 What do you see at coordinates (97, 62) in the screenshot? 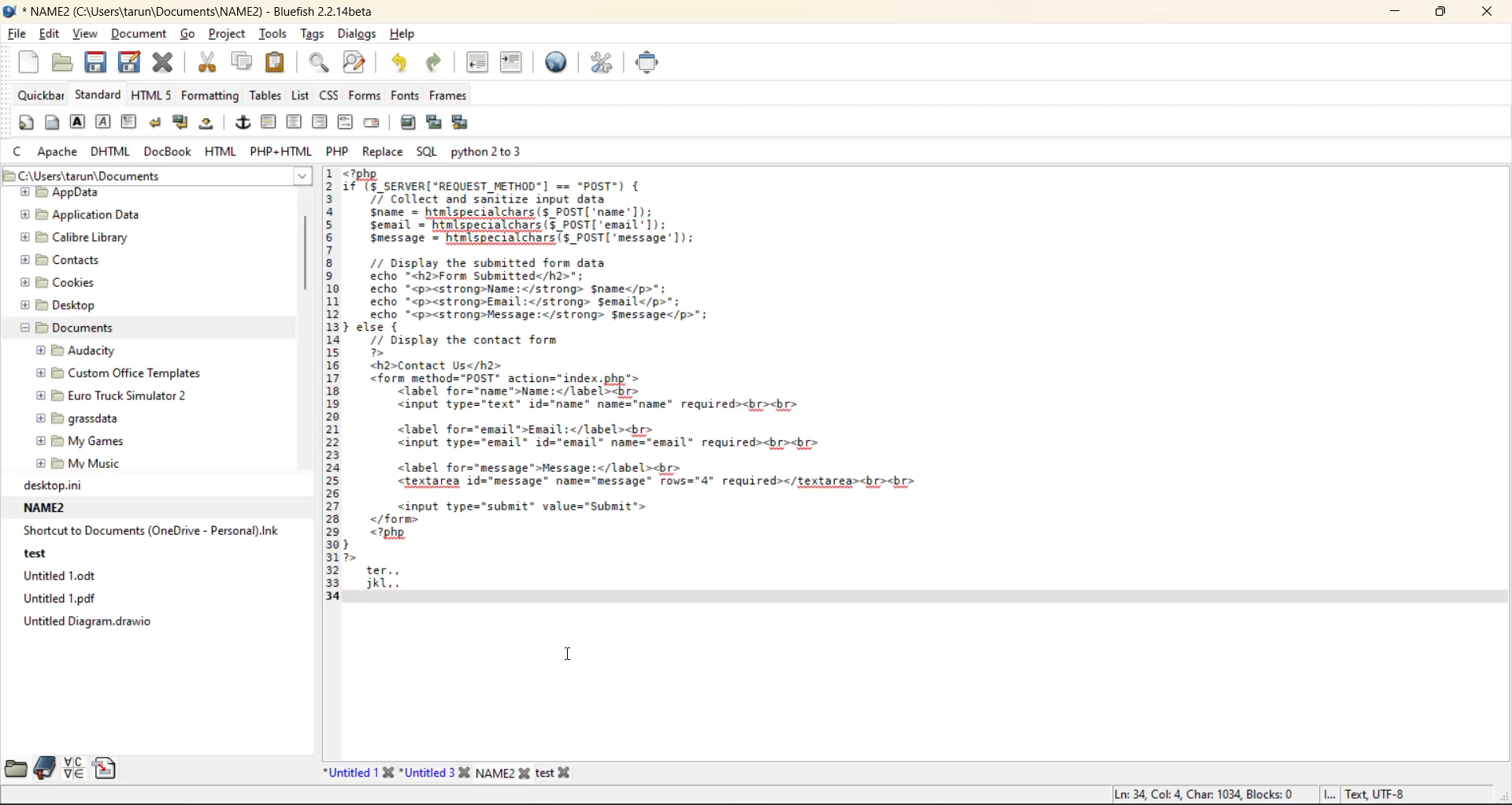
I see `save` at bounding box center [97, 62].